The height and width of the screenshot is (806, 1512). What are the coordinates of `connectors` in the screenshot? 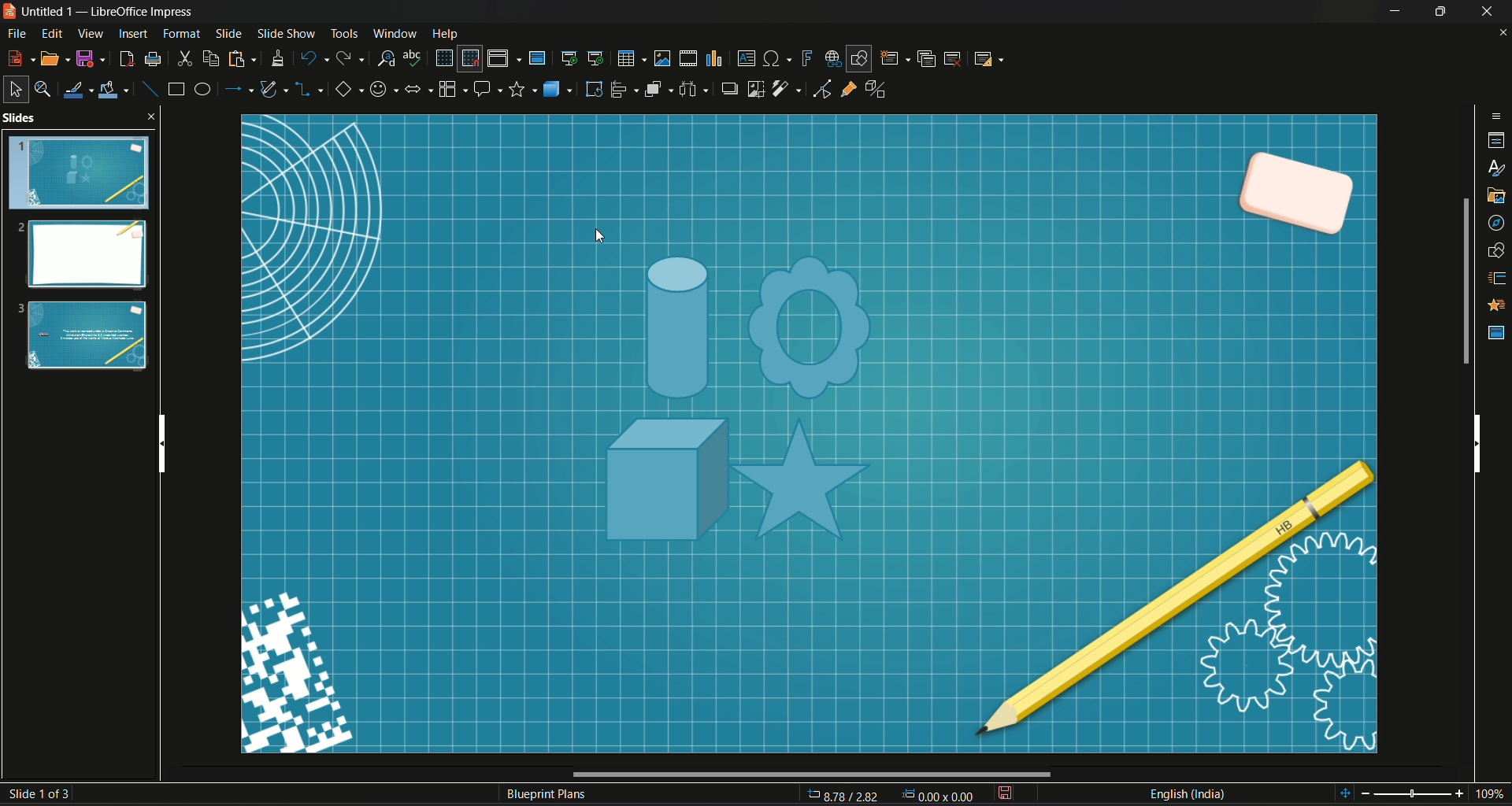 It's located at (309, 91).